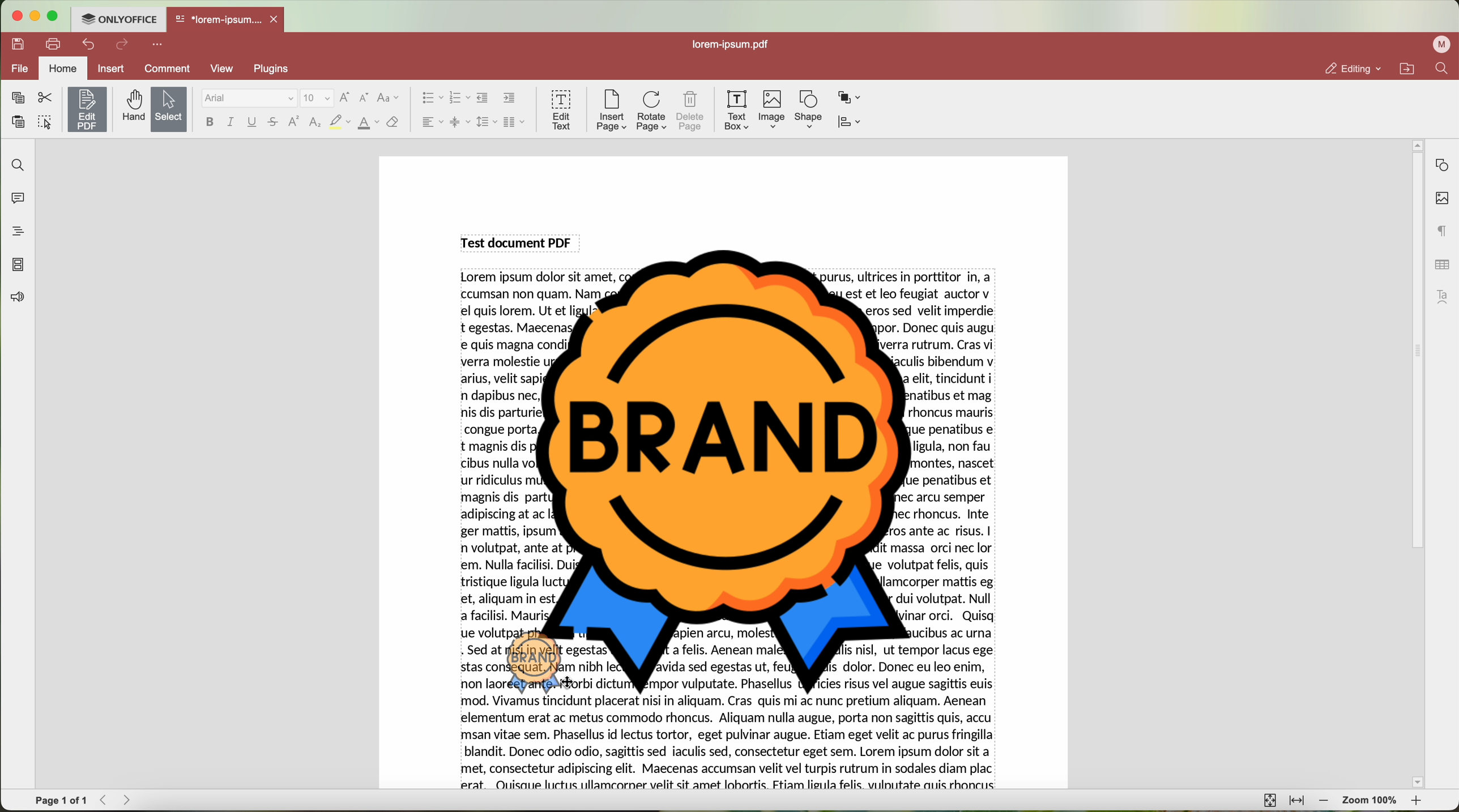 The width and height of the screenshot is (1459, 812). What do you see at coordinates (54, 43) in the screenshot?
I see `print` at bounding box center [54, 43].